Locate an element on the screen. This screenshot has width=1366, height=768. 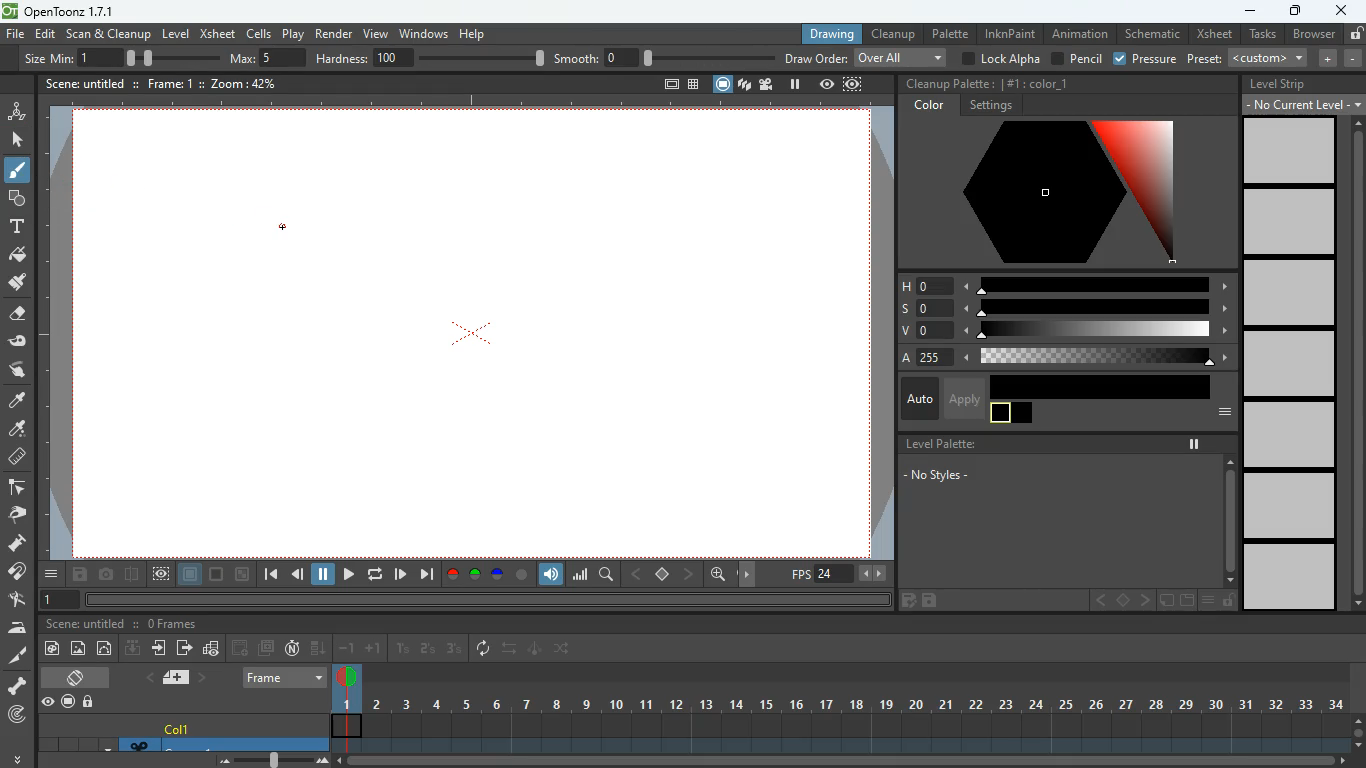
cells is located at coordinates (260, 33).